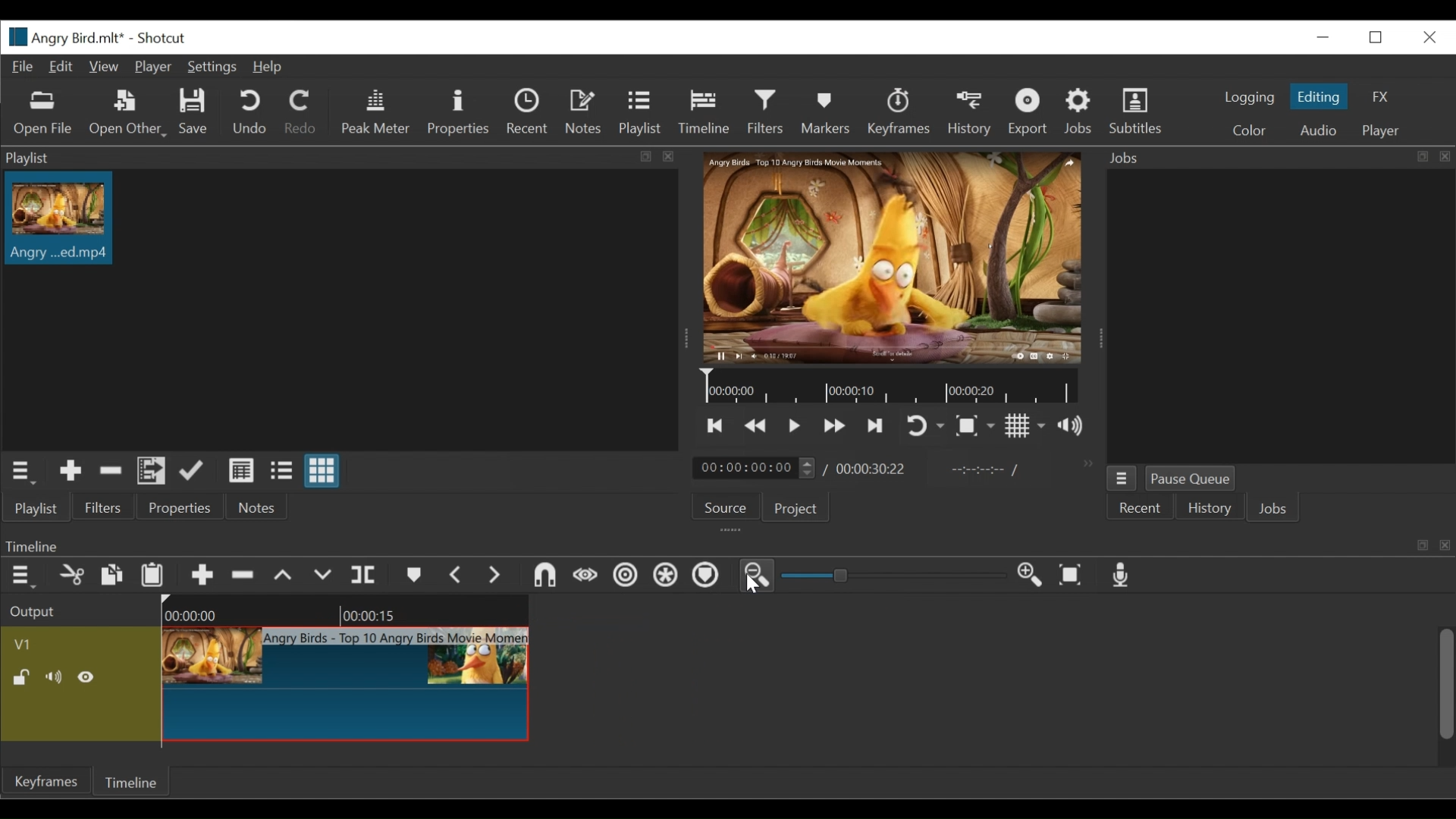 The width and height of the screenshot is (1456, 819). I want to click on lift, so click(285, 575).